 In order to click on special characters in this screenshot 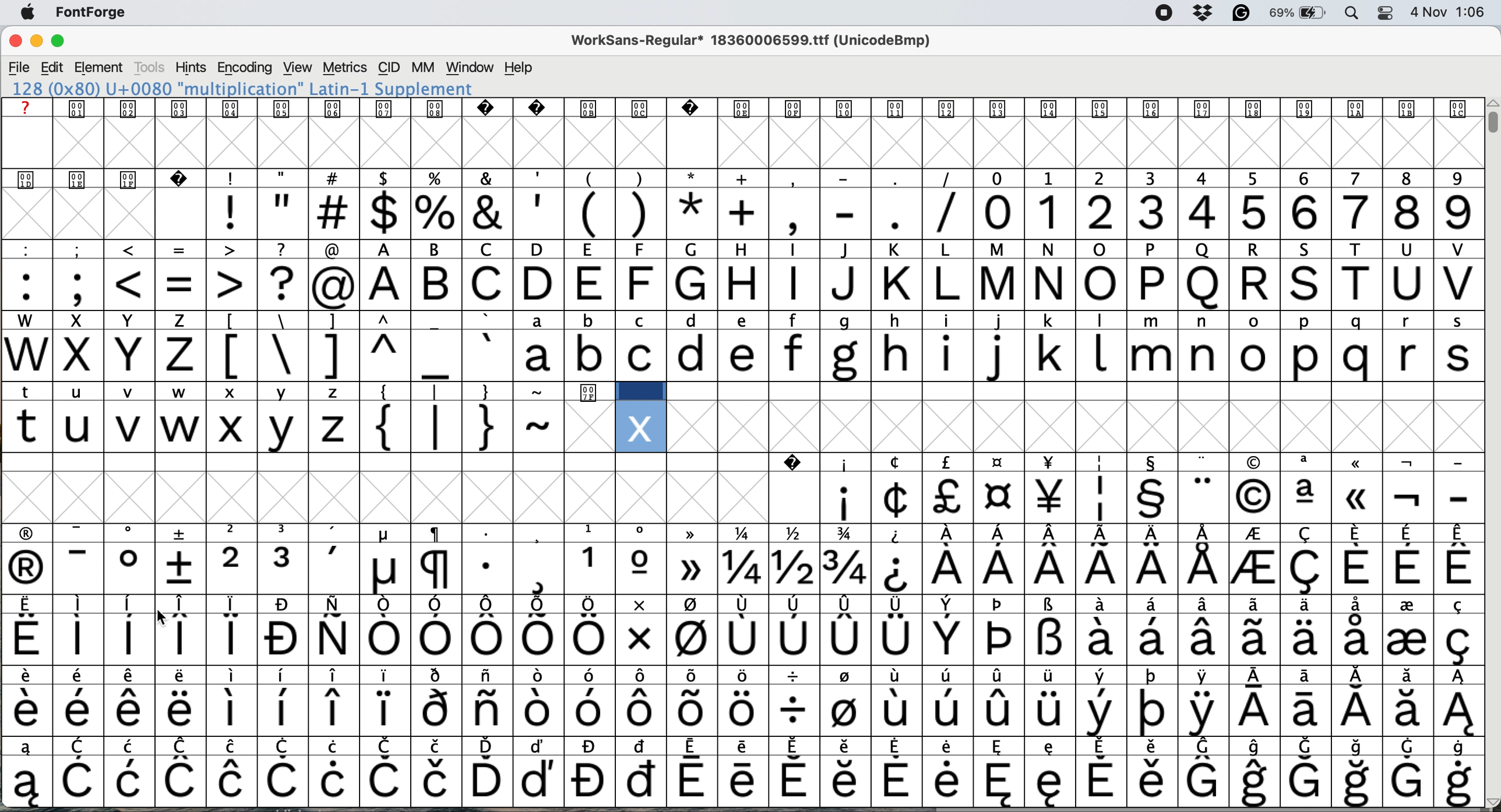, I will do `click(355, 355)`.